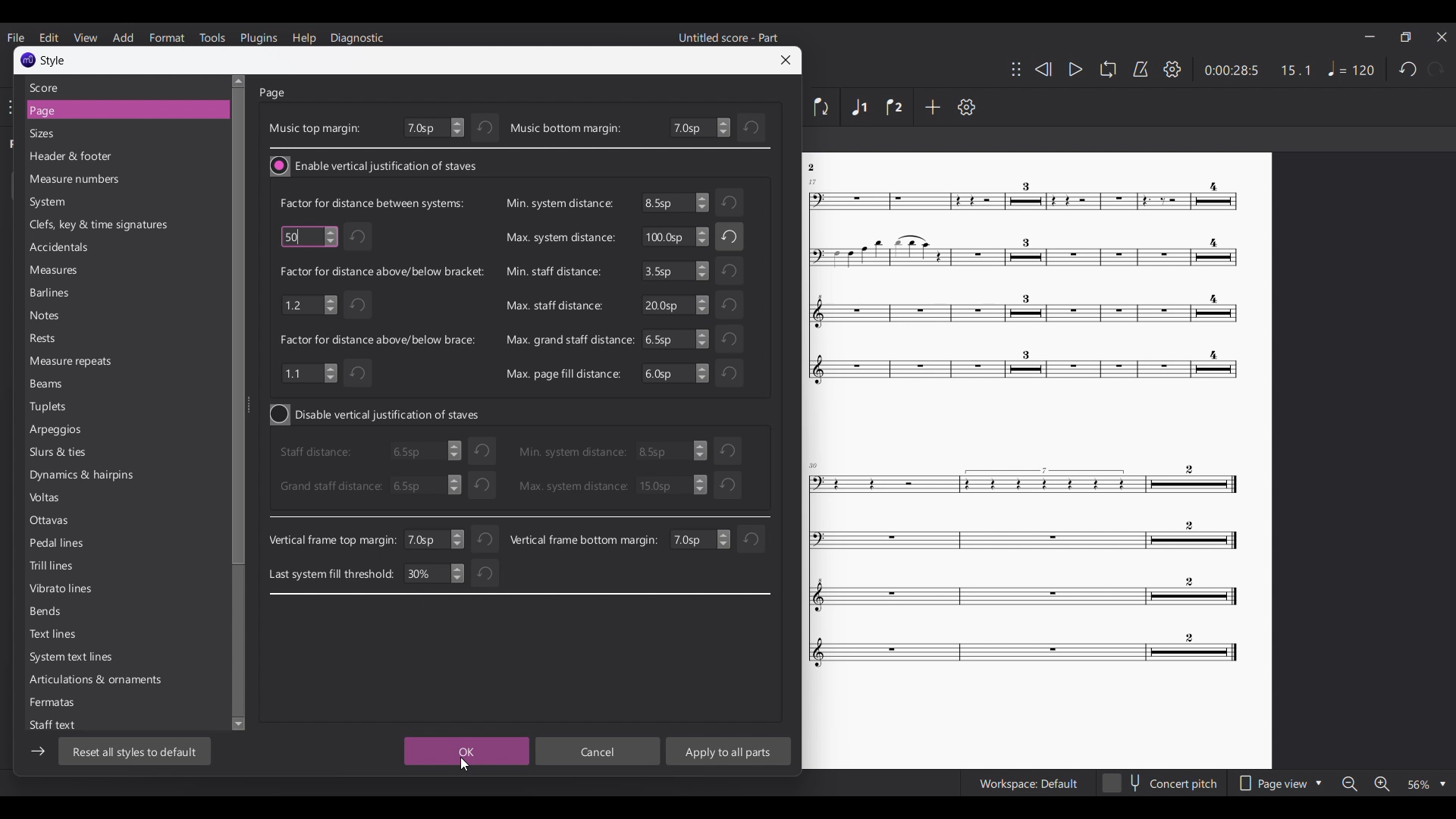 Image resolution: width=1456 pixels, height=819 pixels. I want to click on Grand staff distance, so click(329, 486).